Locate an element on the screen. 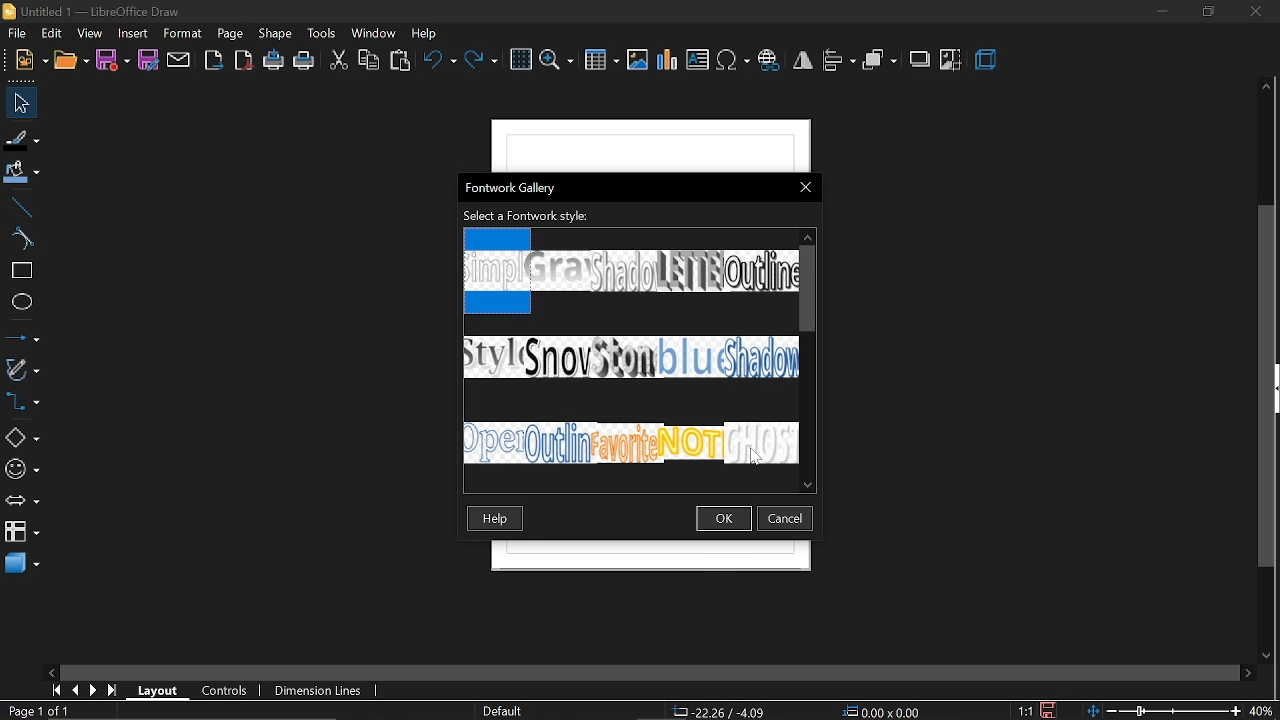  cut  is located at coordinates (338, 61).